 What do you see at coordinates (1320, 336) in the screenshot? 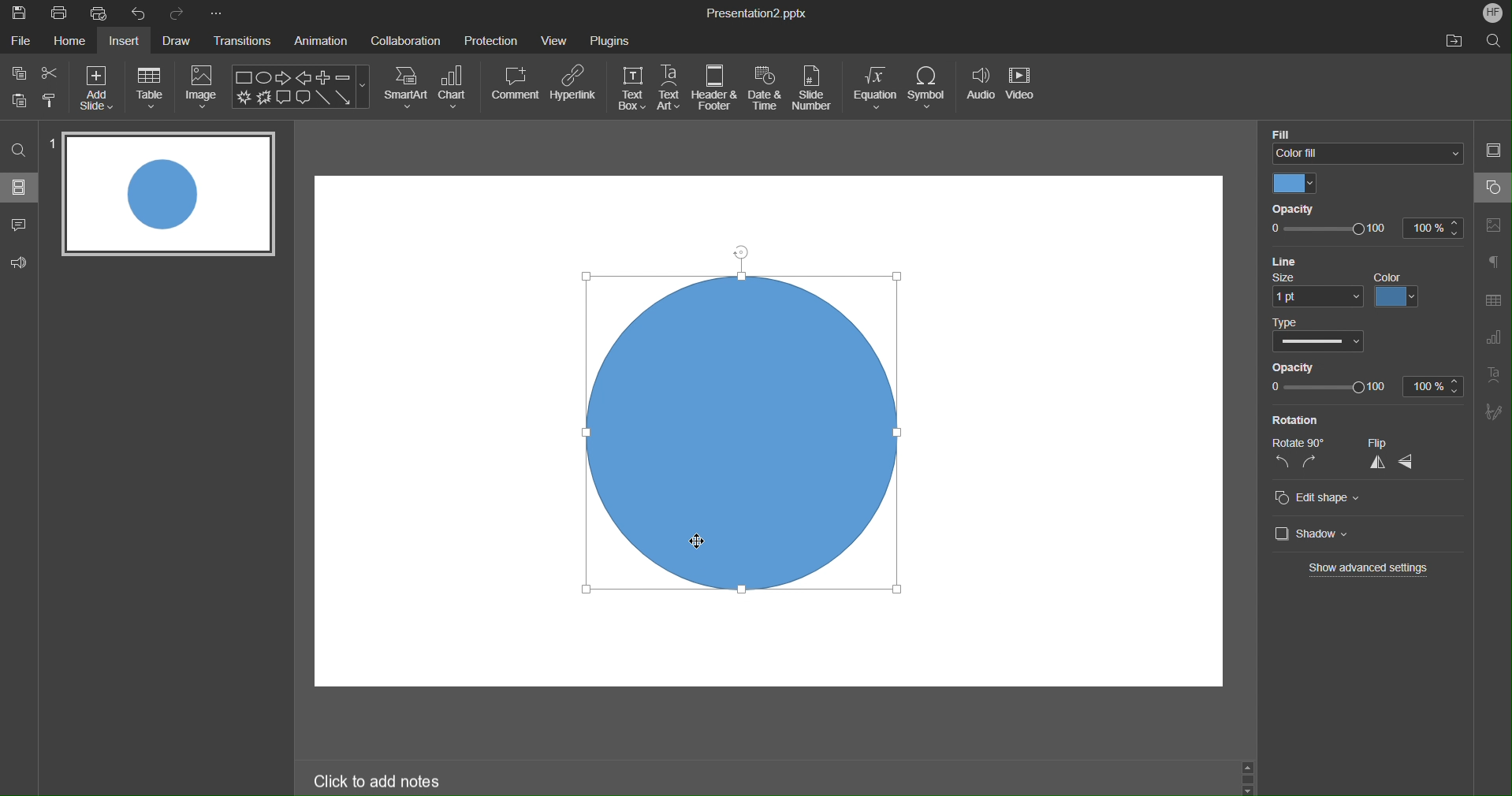
I see `Type` at bounding box center [1320, 336].